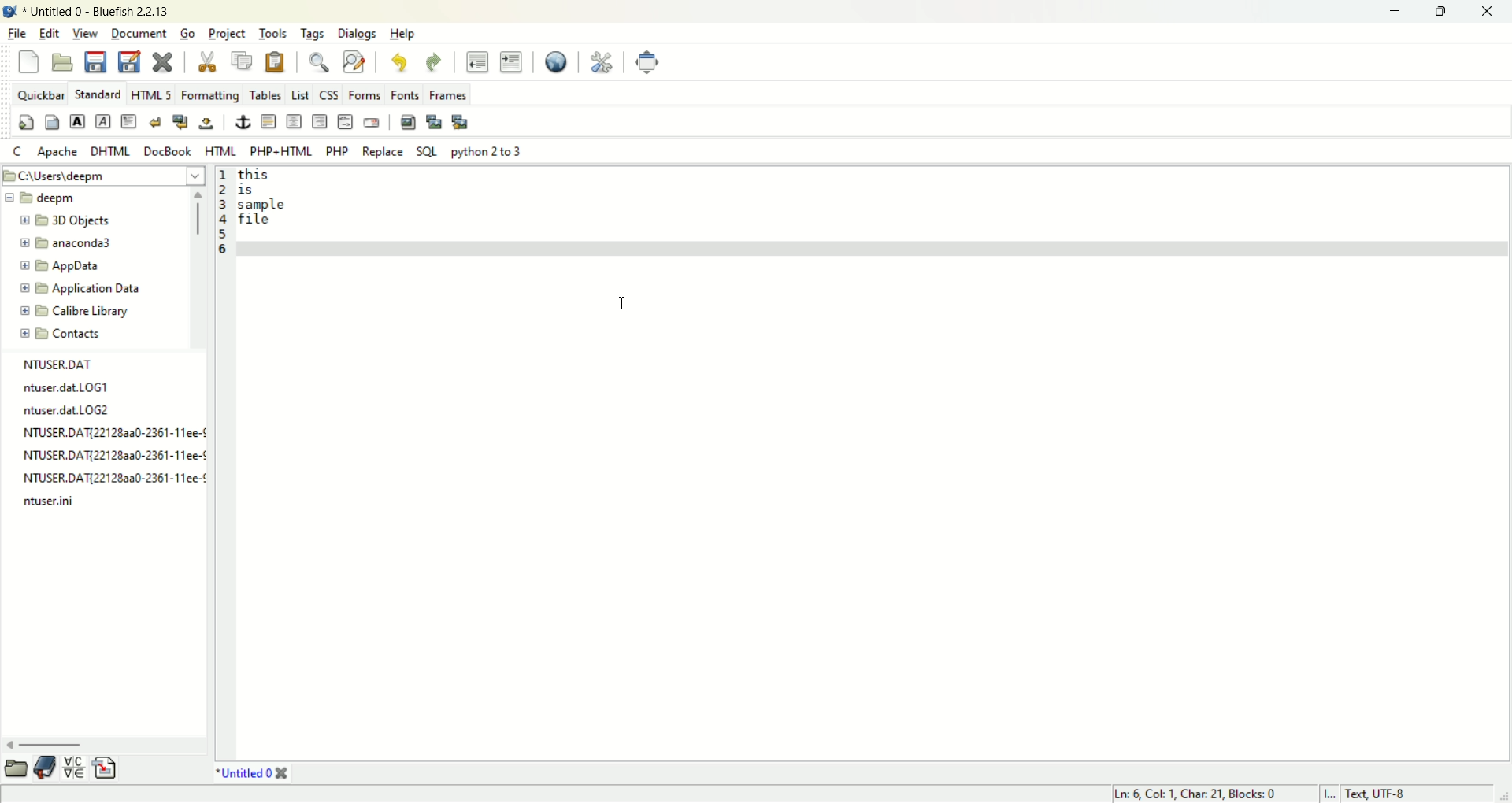  Describe the element at coordinates (50, 32) in the screenshot. I see `edit` at that location.